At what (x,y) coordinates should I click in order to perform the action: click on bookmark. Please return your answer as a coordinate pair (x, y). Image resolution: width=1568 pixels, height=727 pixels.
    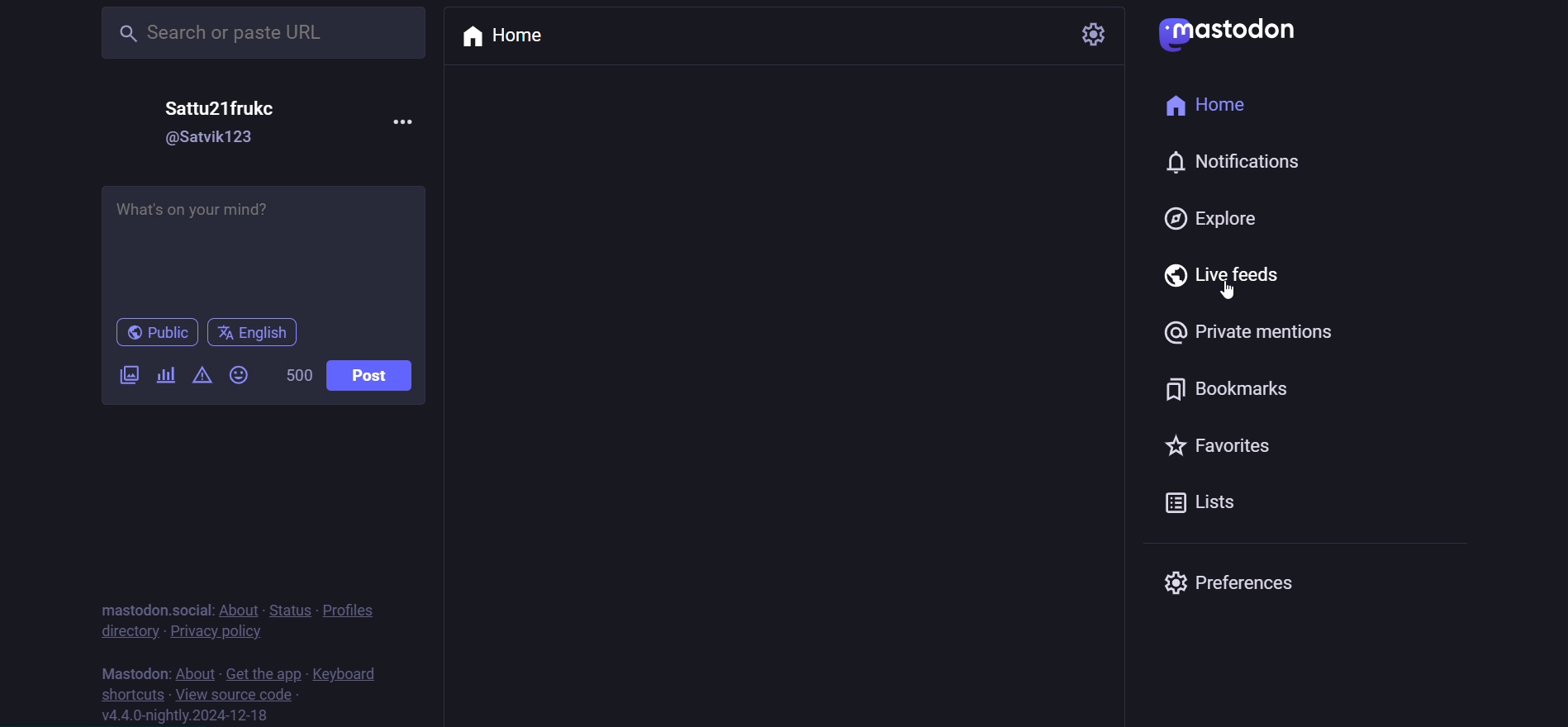
    Looking at the image, I should click on (1238, 385).